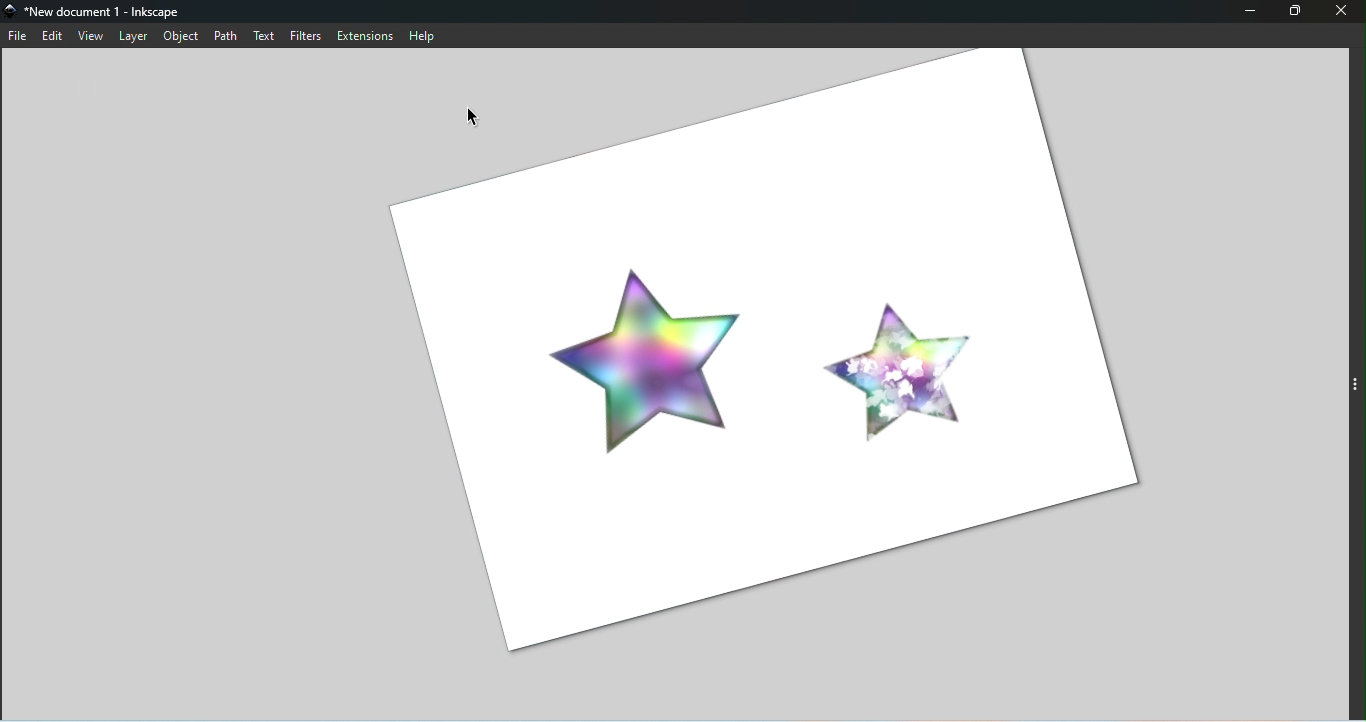 Image resolution: width=1366 pixels, height=722 pixels. What do you see at coordinates (422, 34) in the screenshot?
I see `Help` at bounding box center [422, 34].